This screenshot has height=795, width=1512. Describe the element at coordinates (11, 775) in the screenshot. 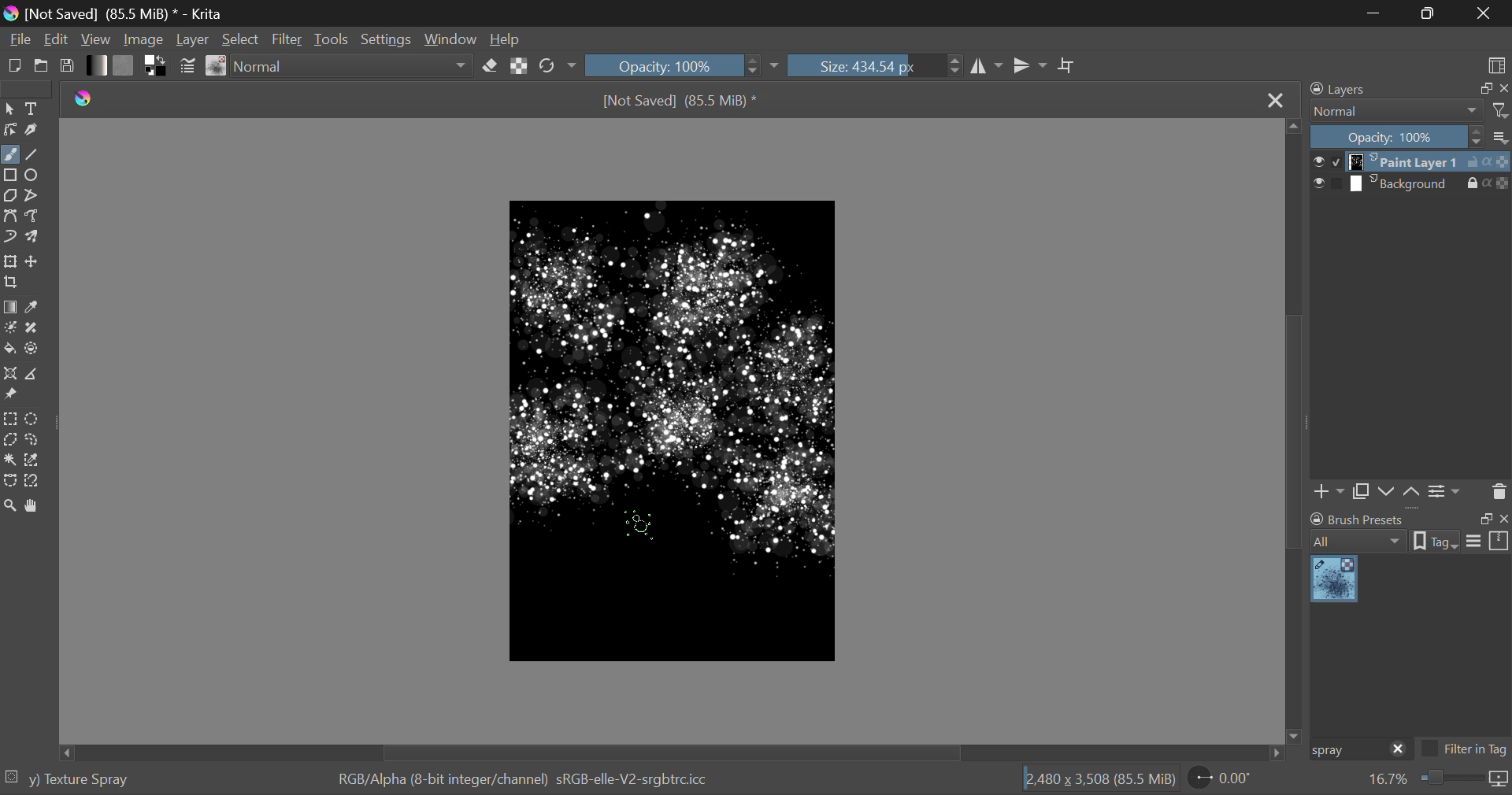

I see `selection` at that location.